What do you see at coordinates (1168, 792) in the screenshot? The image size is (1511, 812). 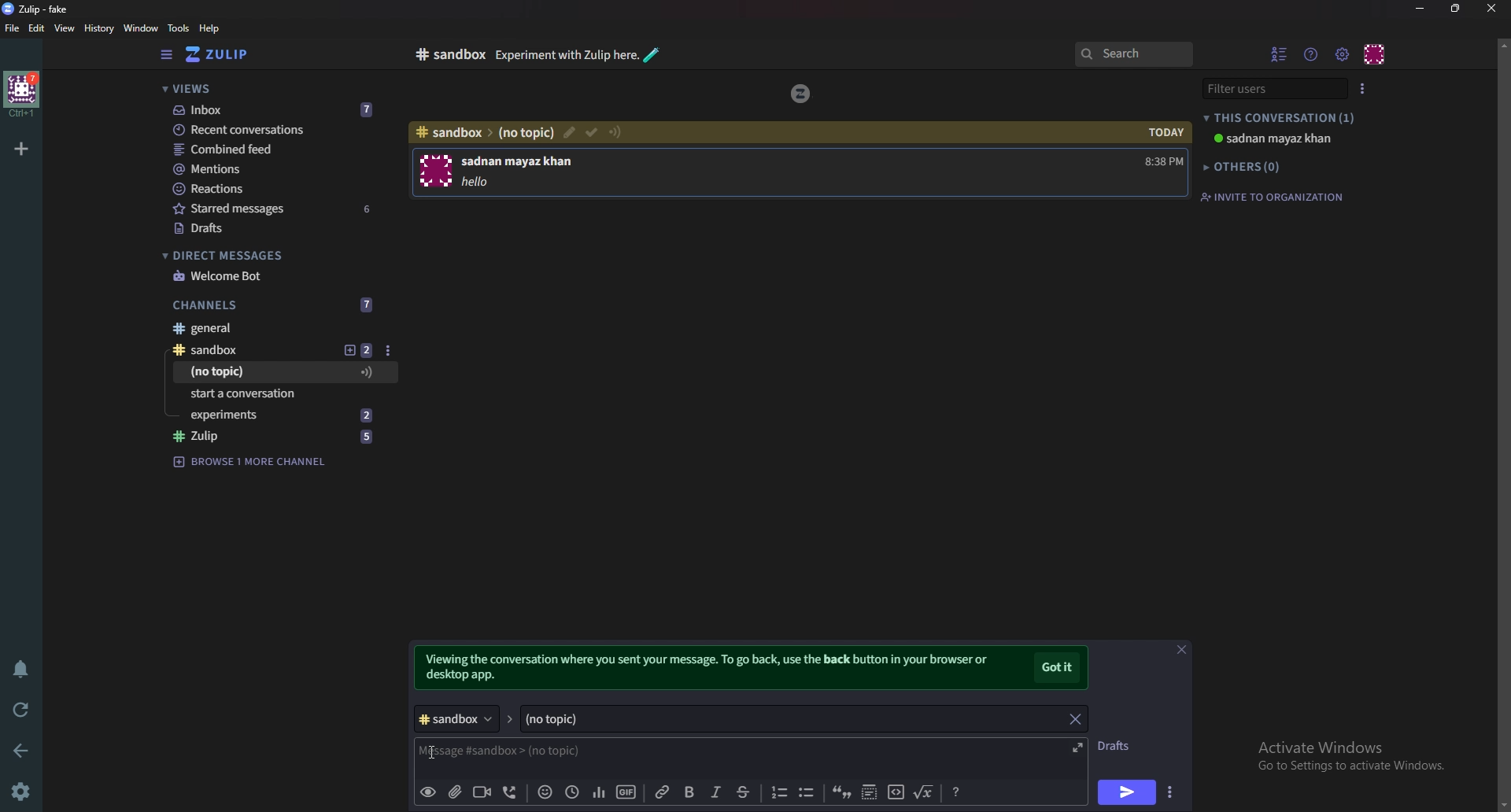 I see `Send options` at bounding box center [1168, 792].